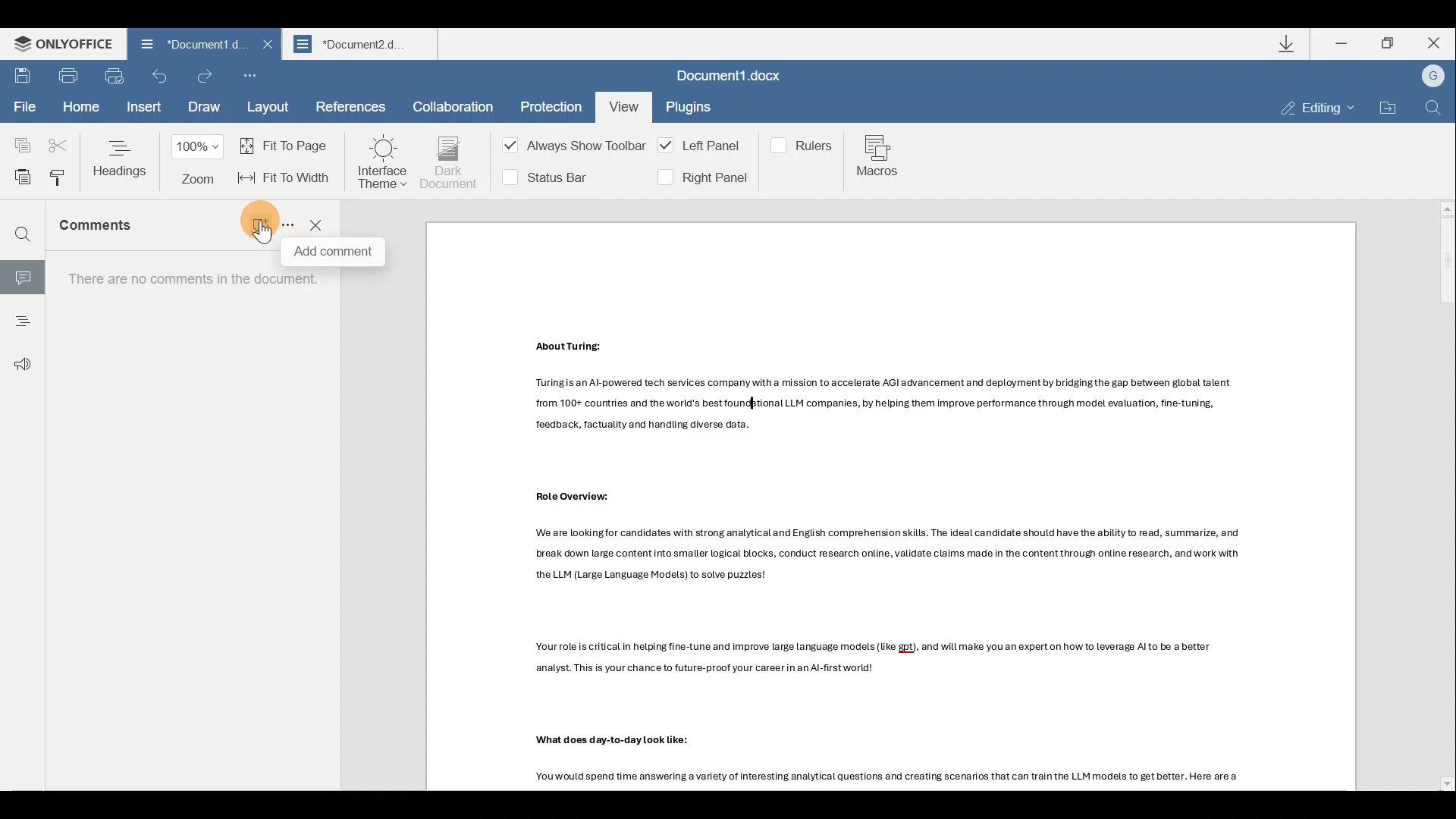 The width and height of the screenshot is (1456, 819). What do you see at coordinates (622, 104) in the screenshot?
I see `View` at bounding box center [622, 104].